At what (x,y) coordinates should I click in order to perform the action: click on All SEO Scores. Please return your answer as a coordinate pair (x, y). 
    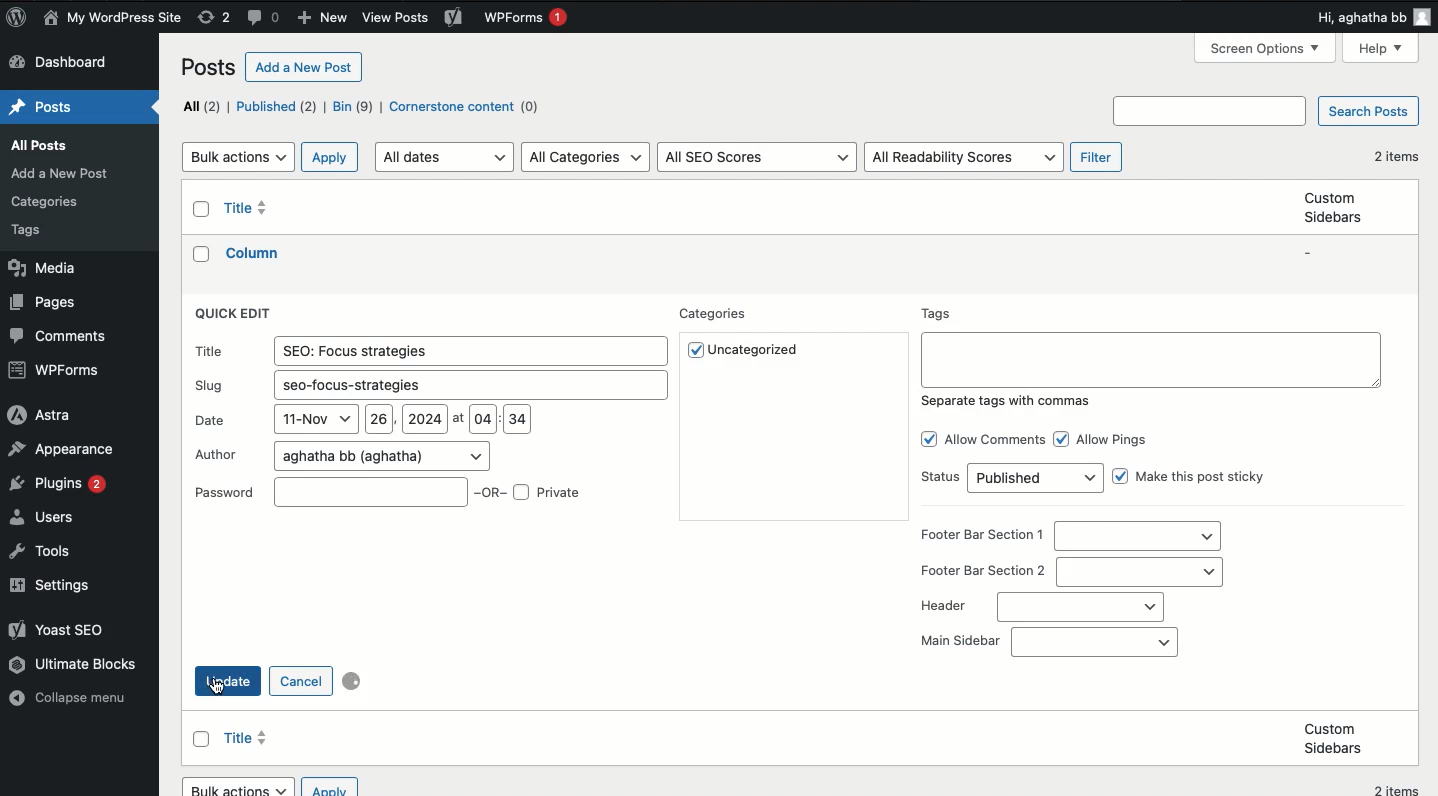
    Looking at the image, I should click on (758, 158).